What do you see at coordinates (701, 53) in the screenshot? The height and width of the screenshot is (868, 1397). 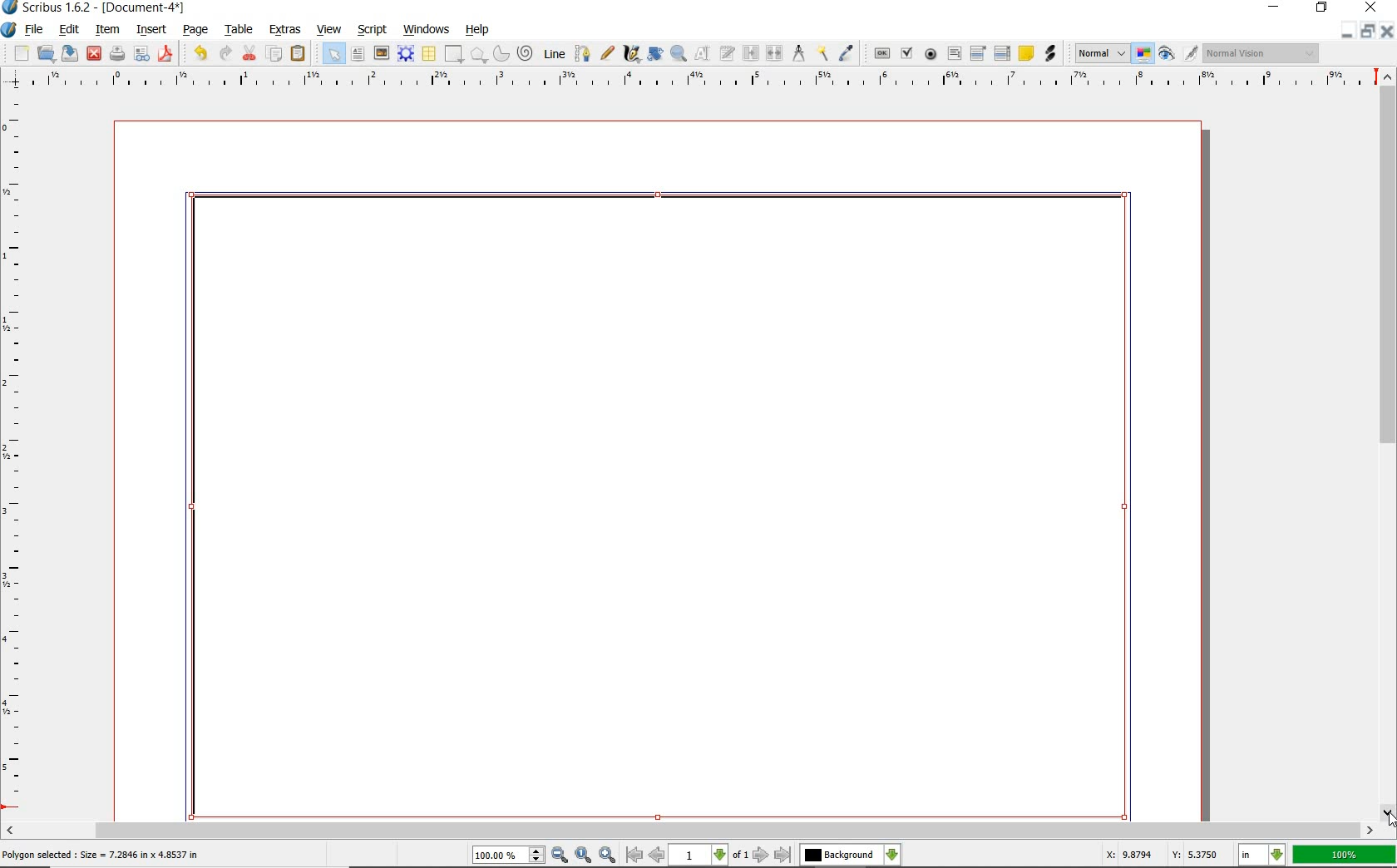 I see `edit contents of frame` at bounding box center [701, 53].